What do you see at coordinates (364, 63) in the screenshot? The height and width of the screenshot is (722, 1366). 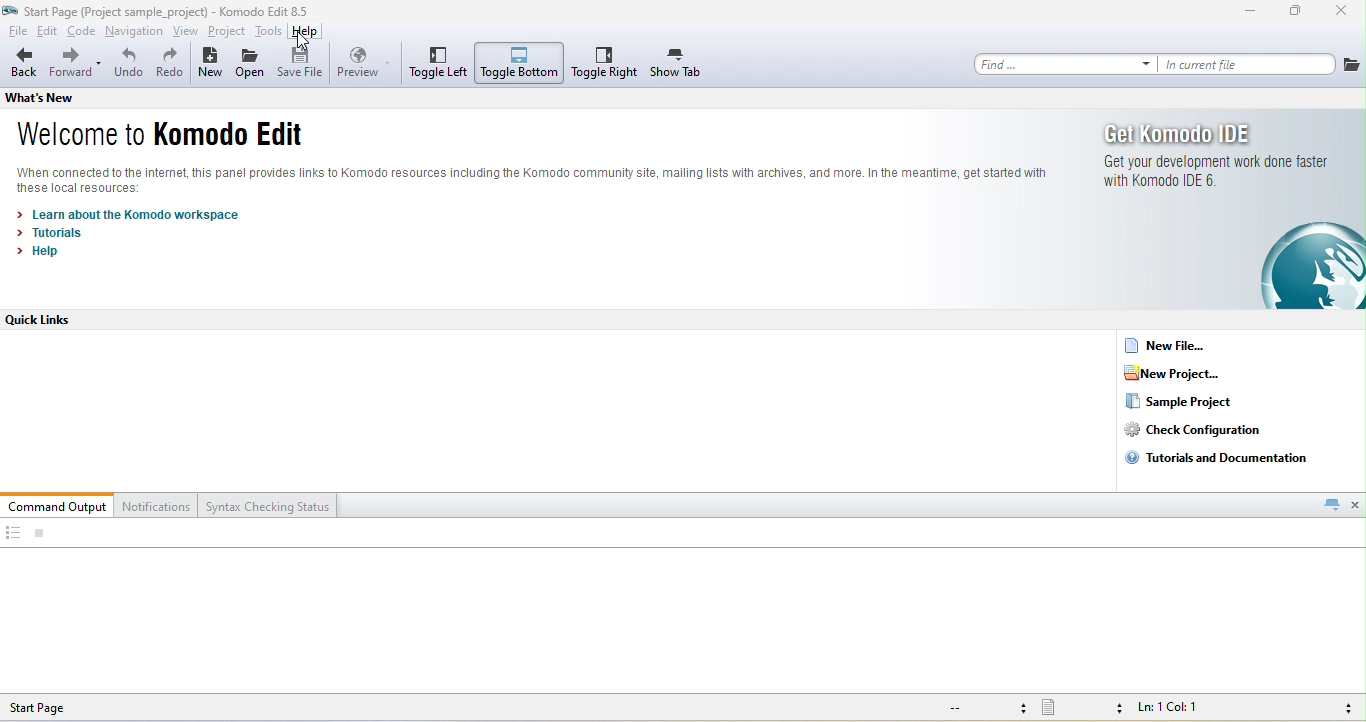 I see `preview` at bounding box center [364, 63].